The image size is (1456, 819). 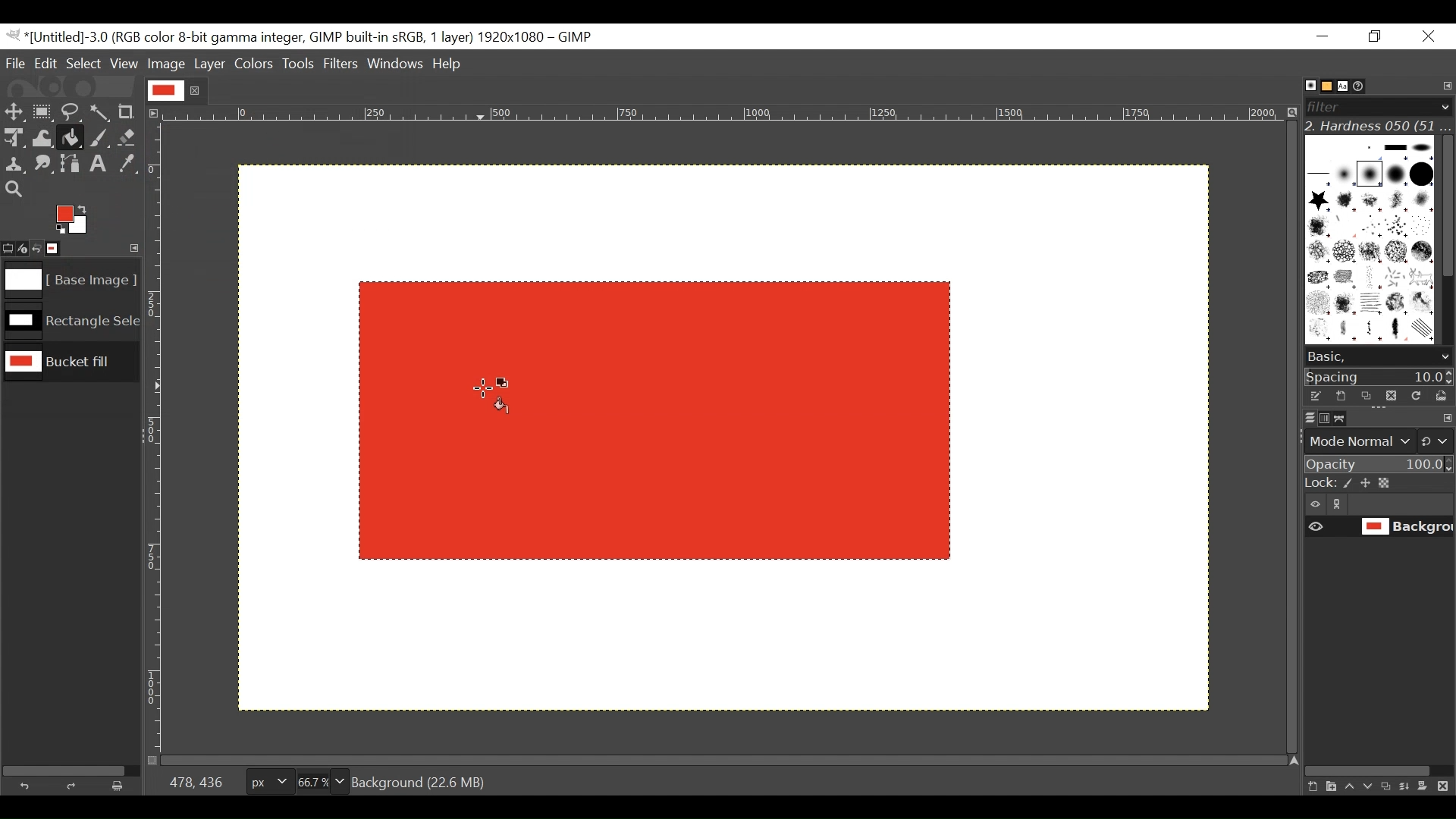 I want to click on Image, so click(x=166, y=64).